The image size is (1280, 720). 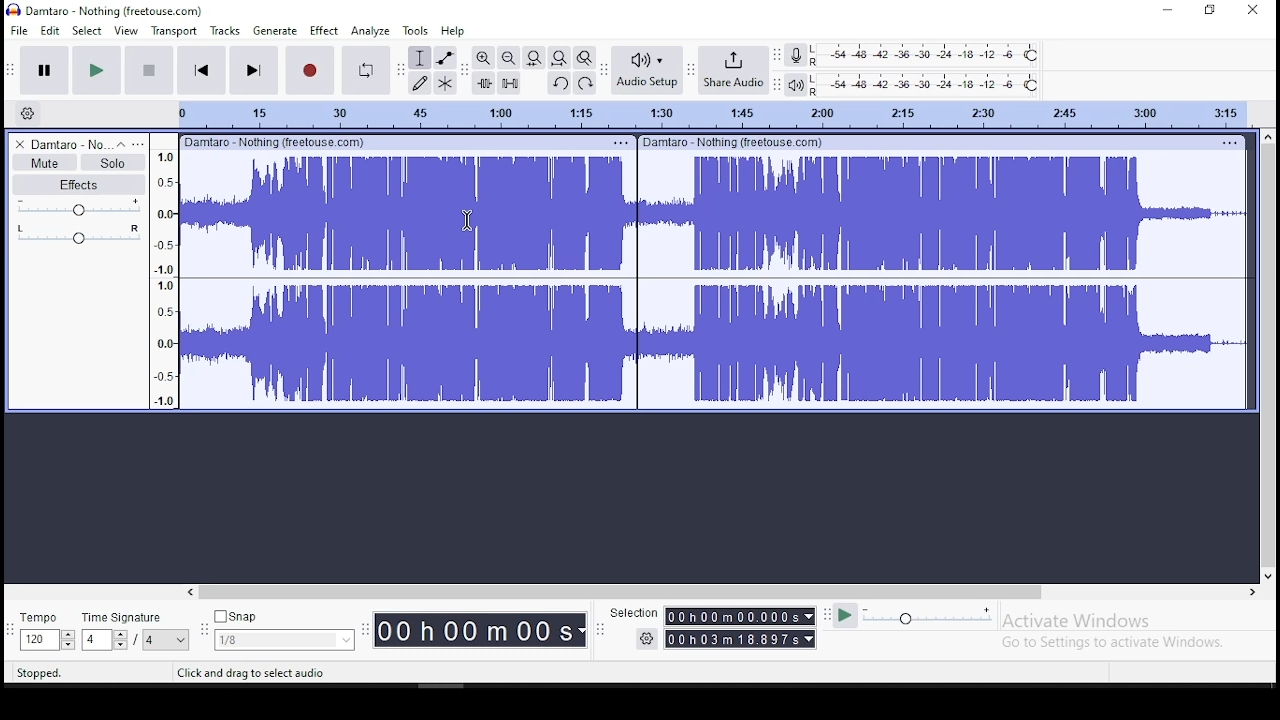 I want to click on recording level, so click(x=925, y=55).